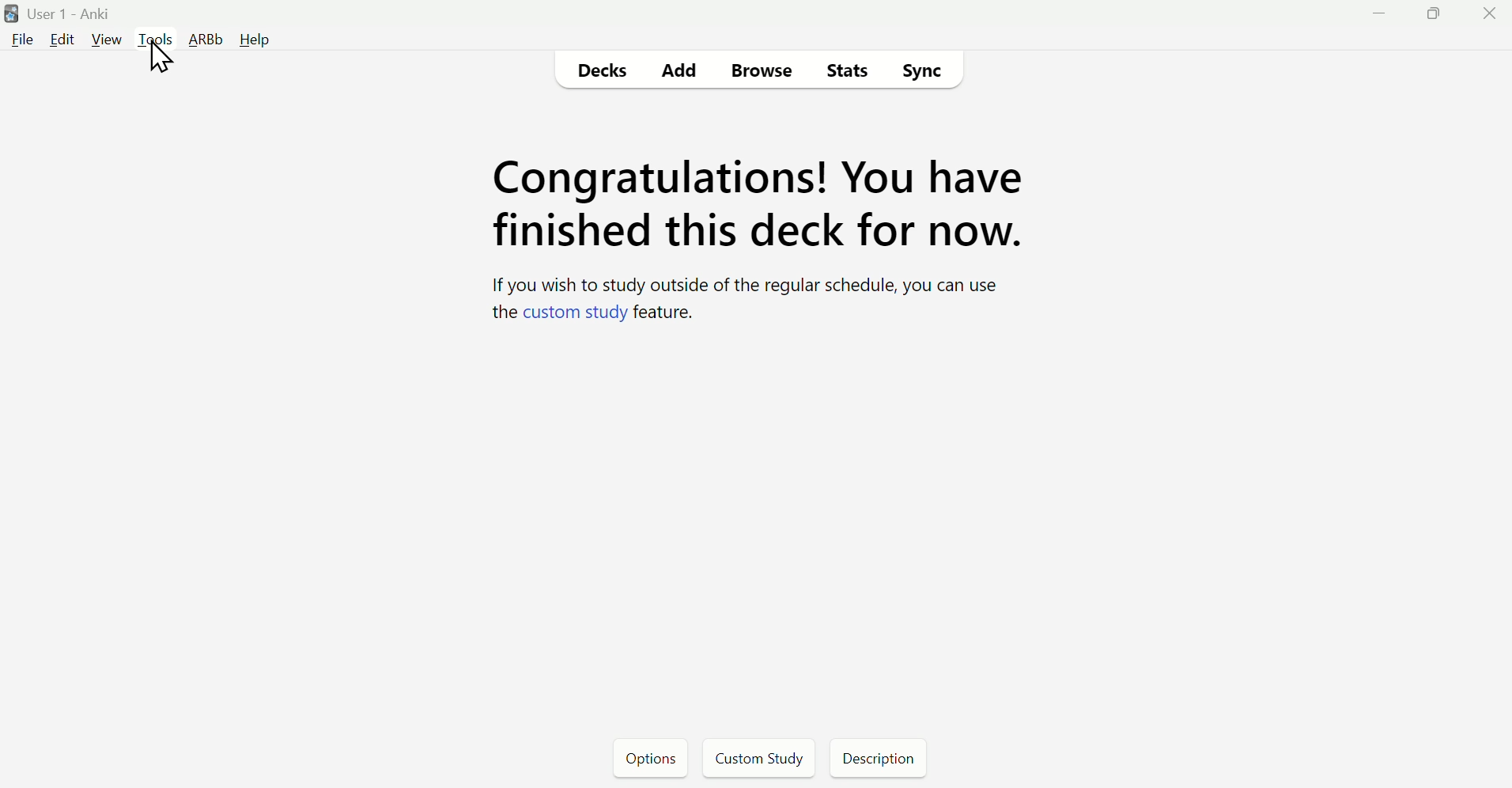 The image size is (1512, 788). What do you see at coordinates (255, 40) in the screenshot?
I see `Help` at bounding box center [255, 40].